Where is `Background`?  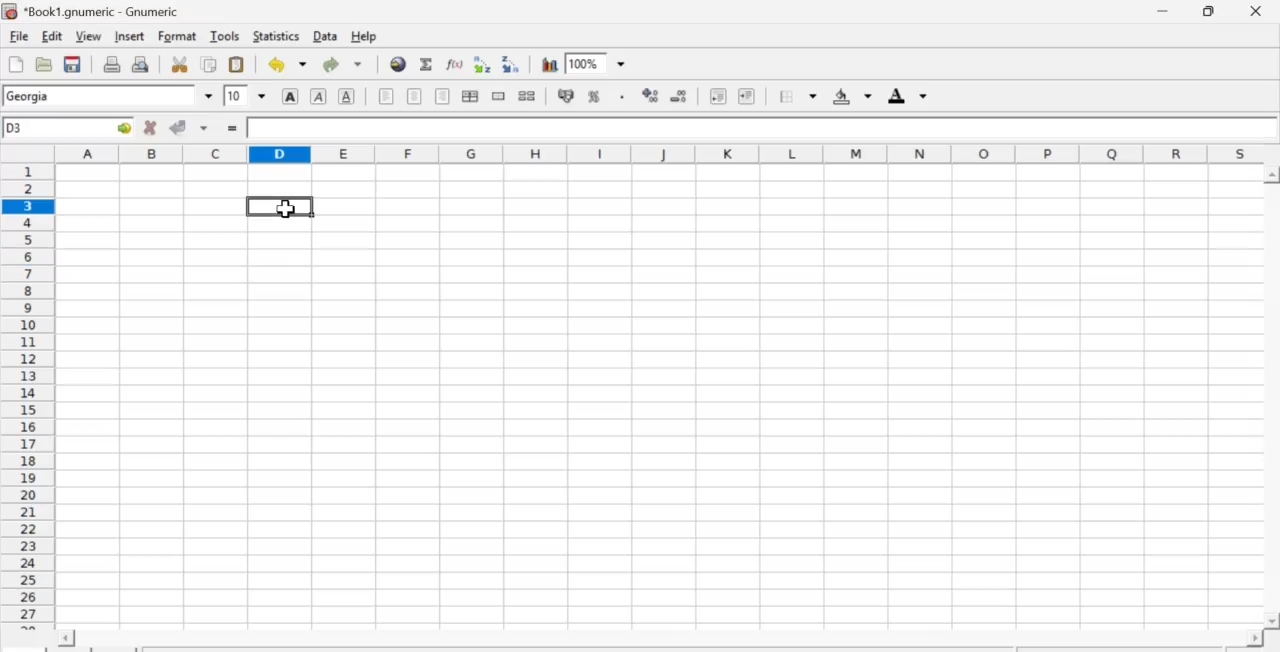
Background is located at coordinates (853, 95).